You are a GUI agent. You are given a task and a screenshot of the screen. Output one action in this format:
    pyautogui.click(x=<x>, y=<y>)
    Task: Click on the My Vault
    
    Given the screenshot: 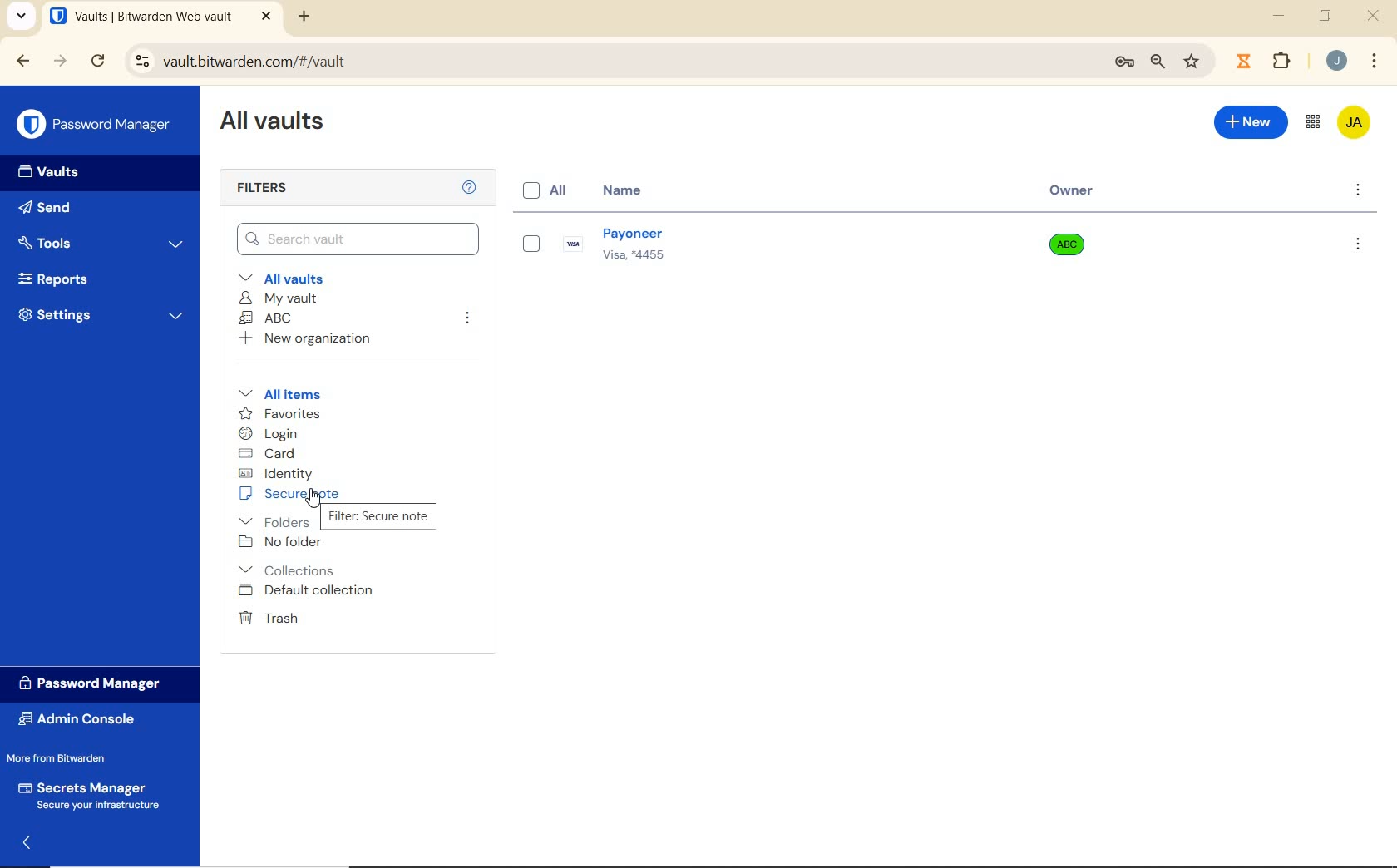 What is the action you would take?
    pyautogui.click(x=278, y=299)
    